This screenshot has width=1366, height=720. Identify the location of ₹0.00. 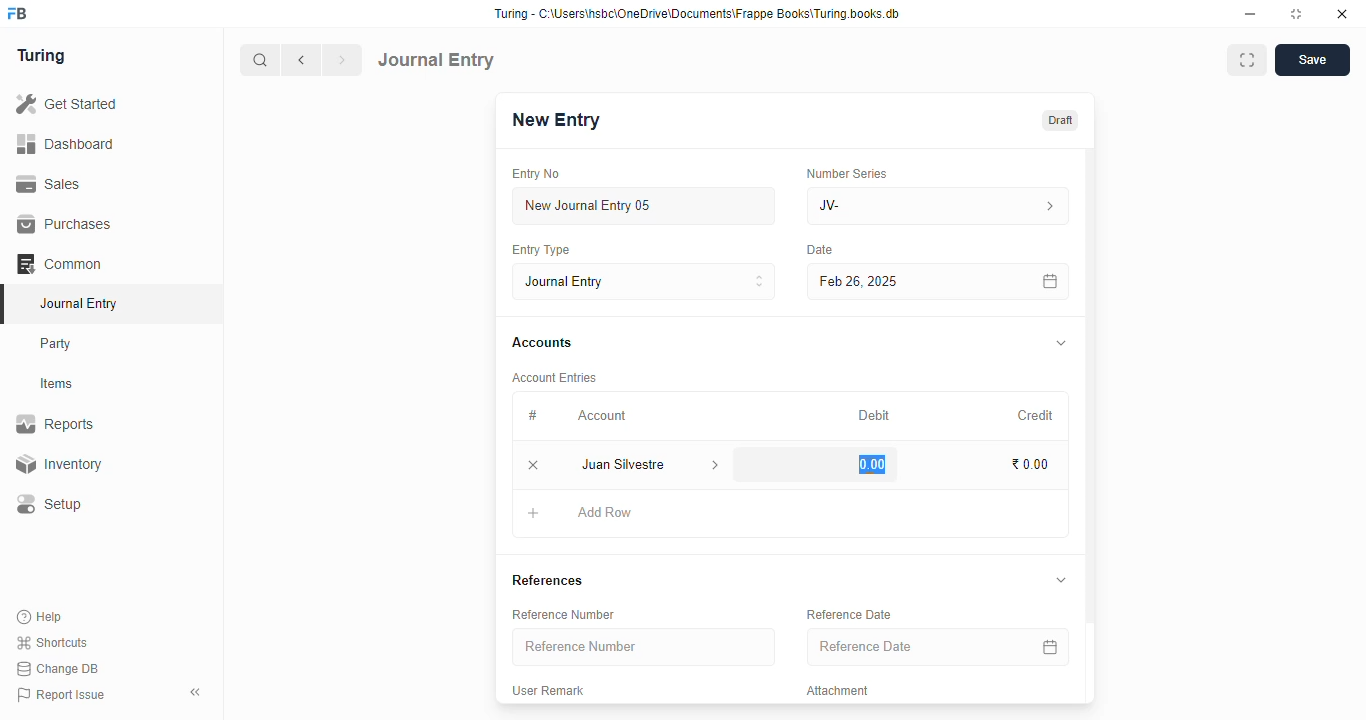
(1031, 465).